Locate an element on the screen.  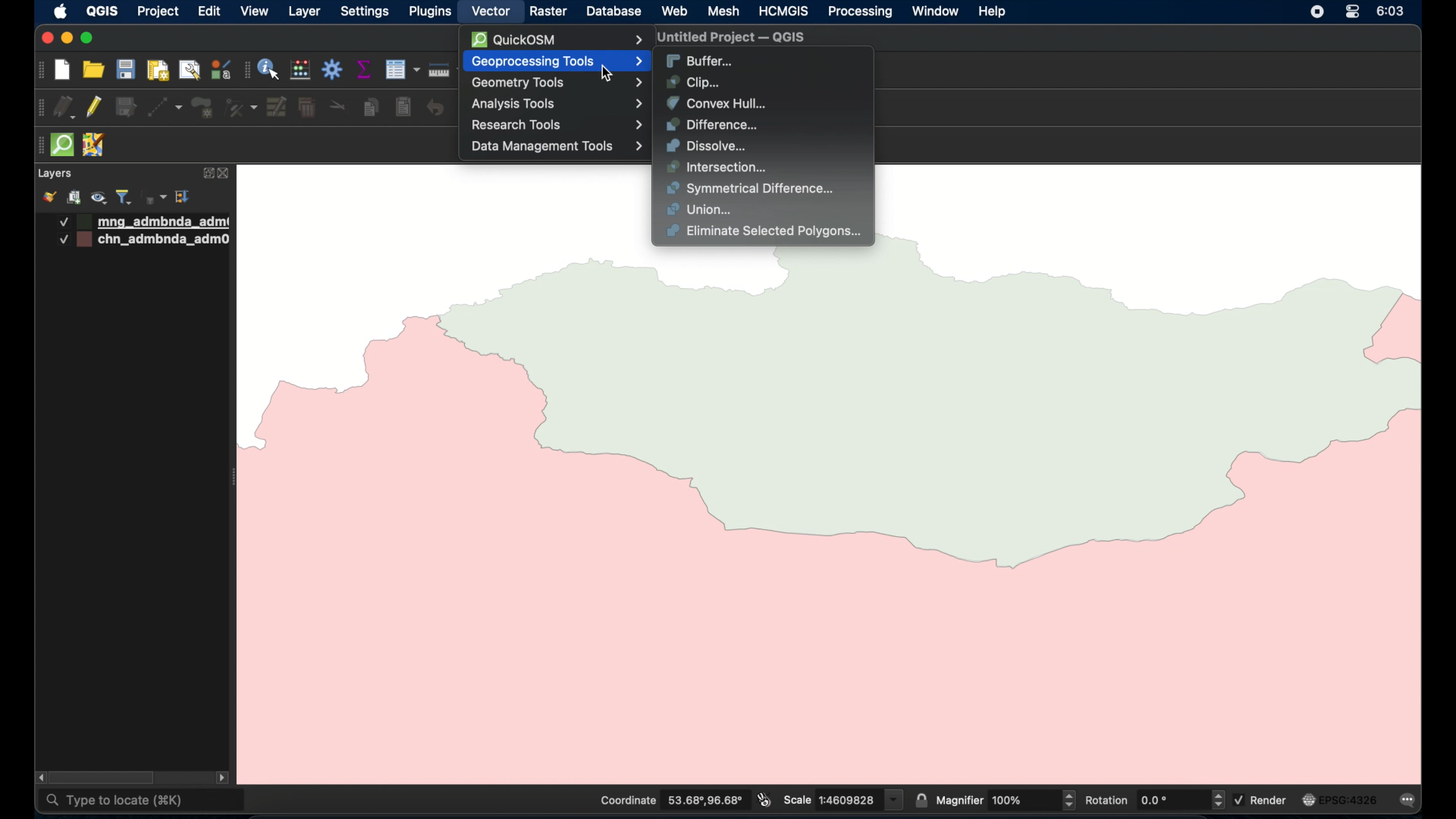
save edits is located at coordinates (127, 108).